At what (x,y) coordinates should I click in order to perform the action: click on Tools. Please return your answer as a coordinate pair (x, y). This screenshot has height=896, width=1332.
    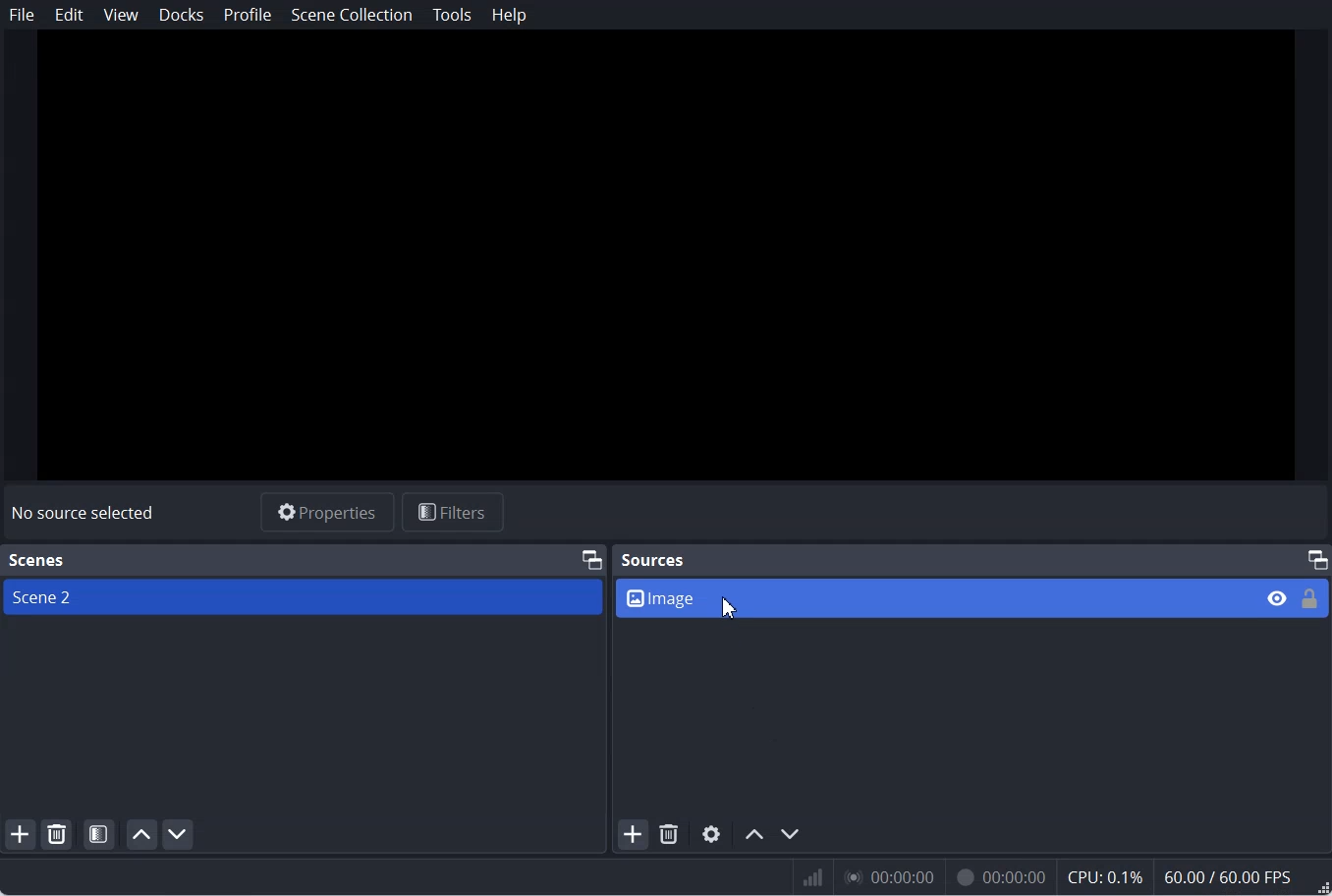
    Looking at the image, I should click on (453, 16).